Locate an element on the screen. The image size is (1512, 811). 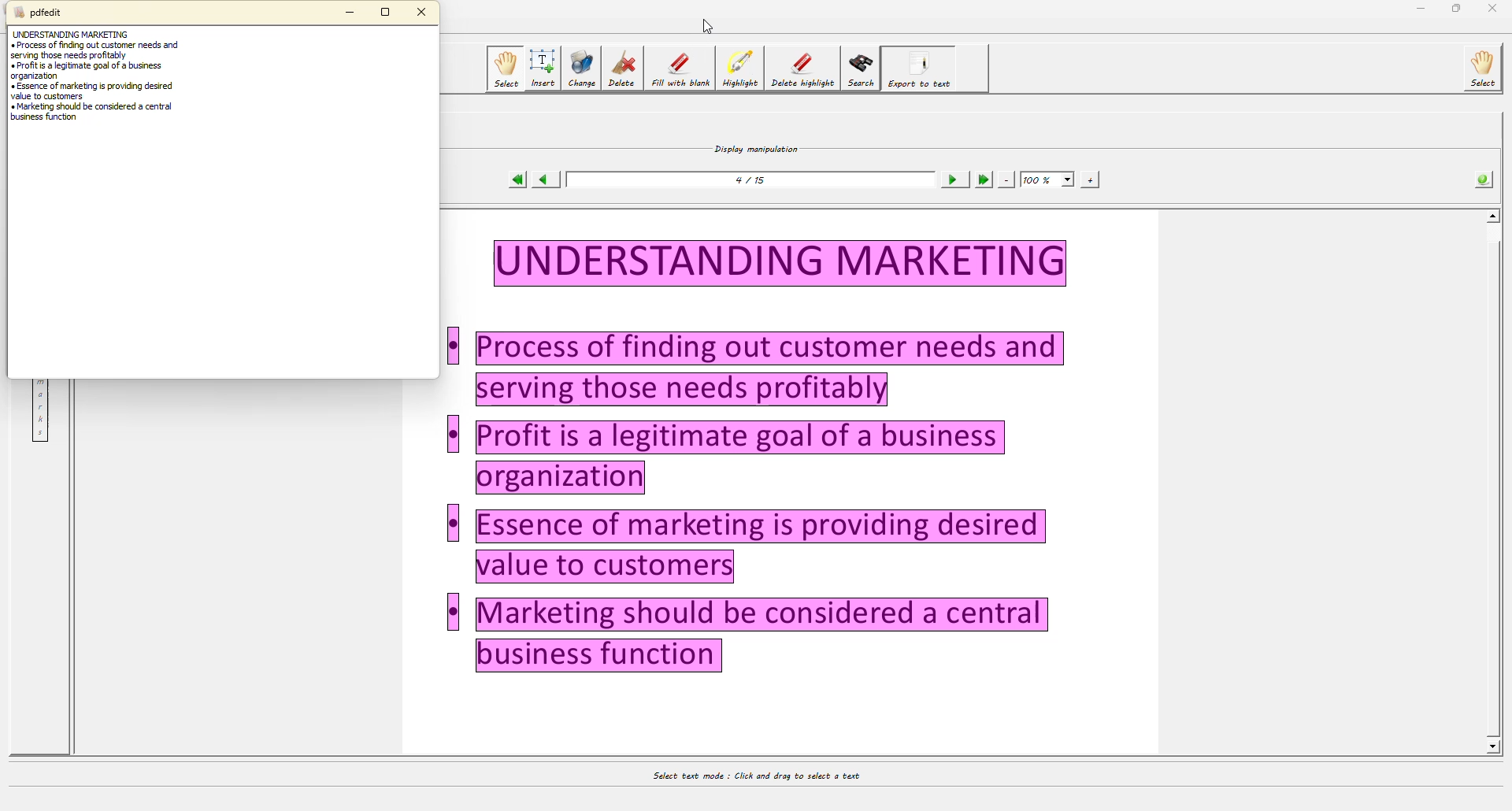
zoom out is located at coordinates (1007, 179).